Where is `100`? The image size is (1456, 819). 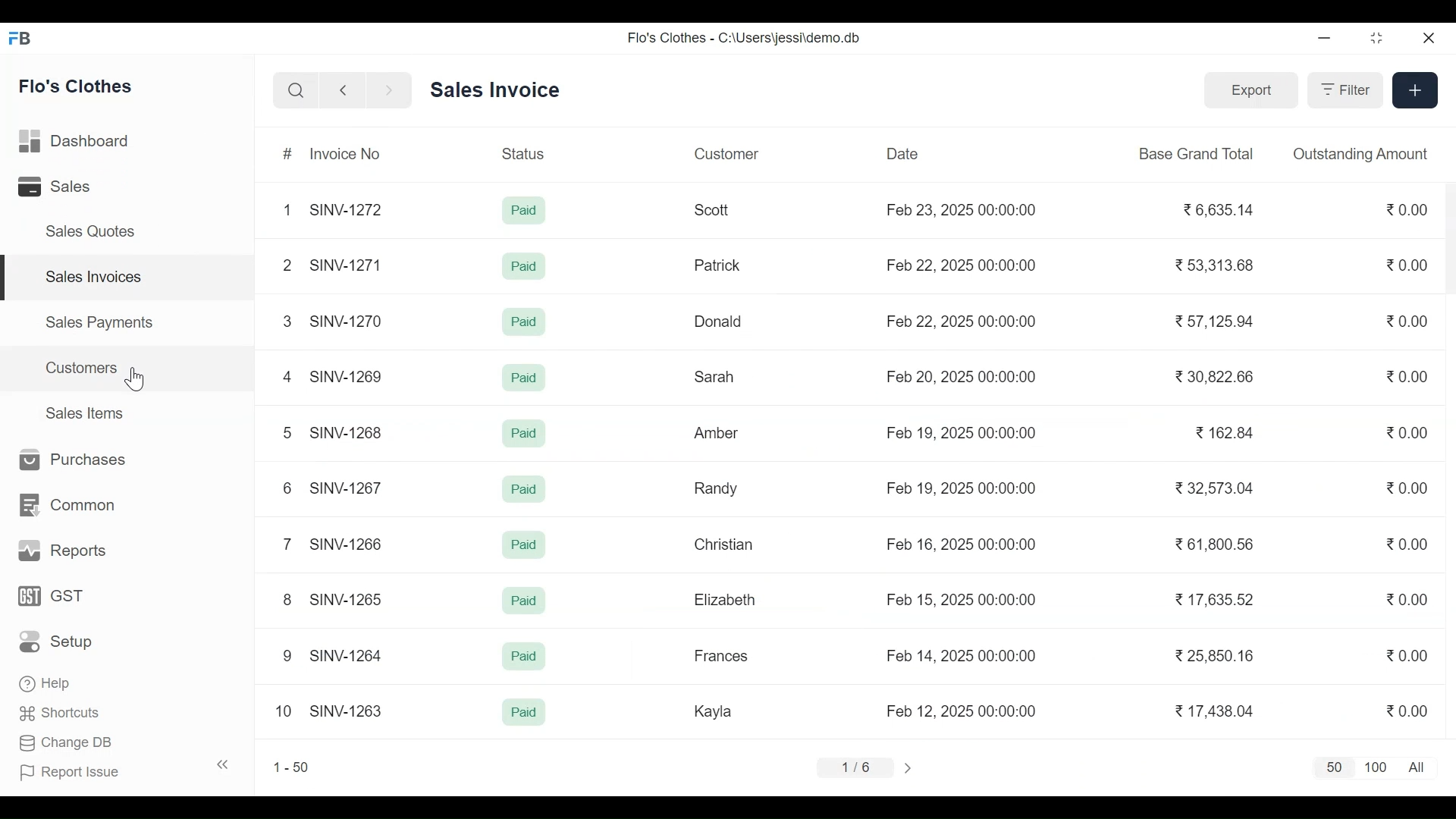 100 is located at coordinates (1376, 768).